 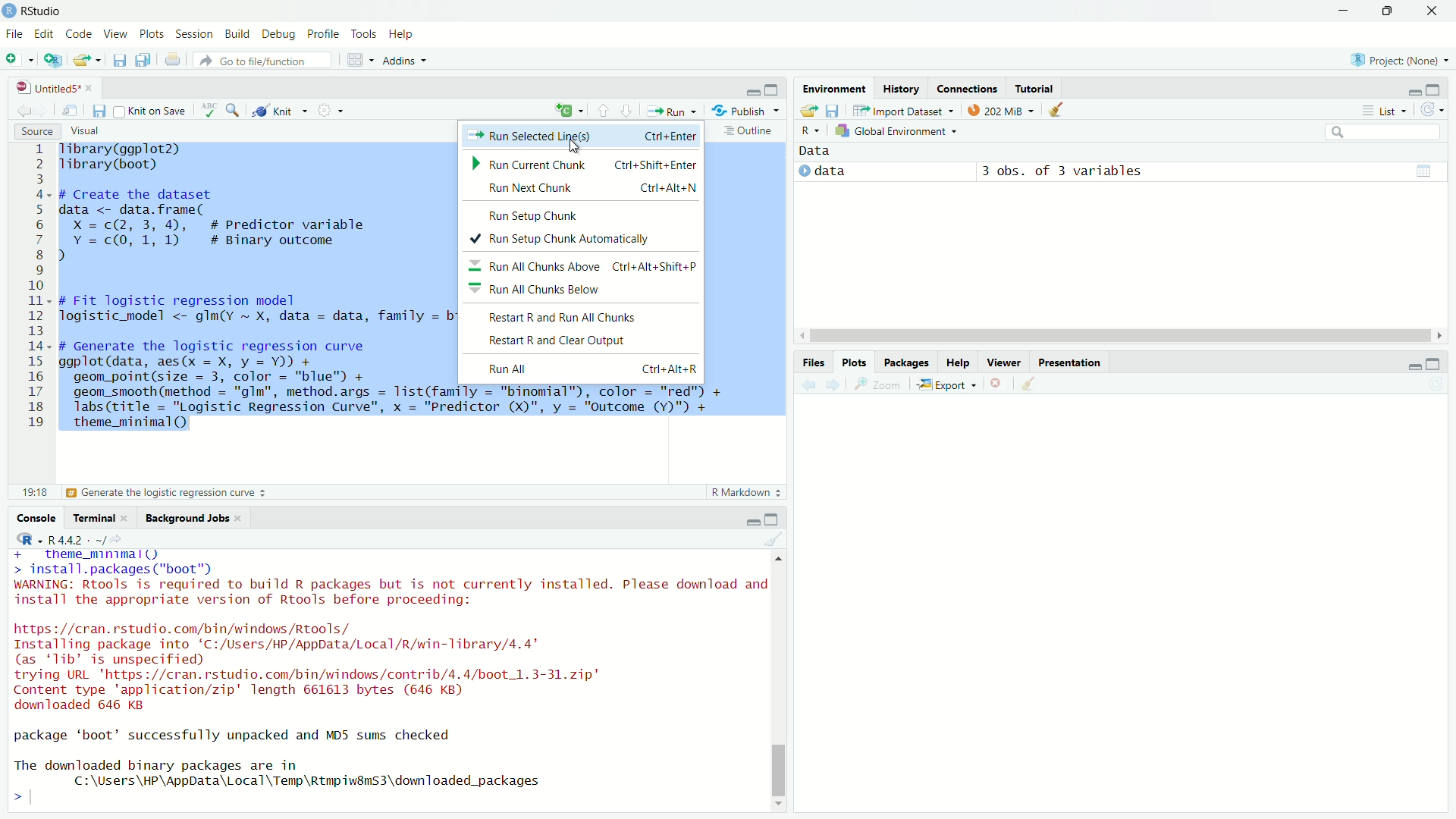 What do you see at coordinates (814, 363) in the screenshot?
I see `Files` at bounding box center [814, 363].